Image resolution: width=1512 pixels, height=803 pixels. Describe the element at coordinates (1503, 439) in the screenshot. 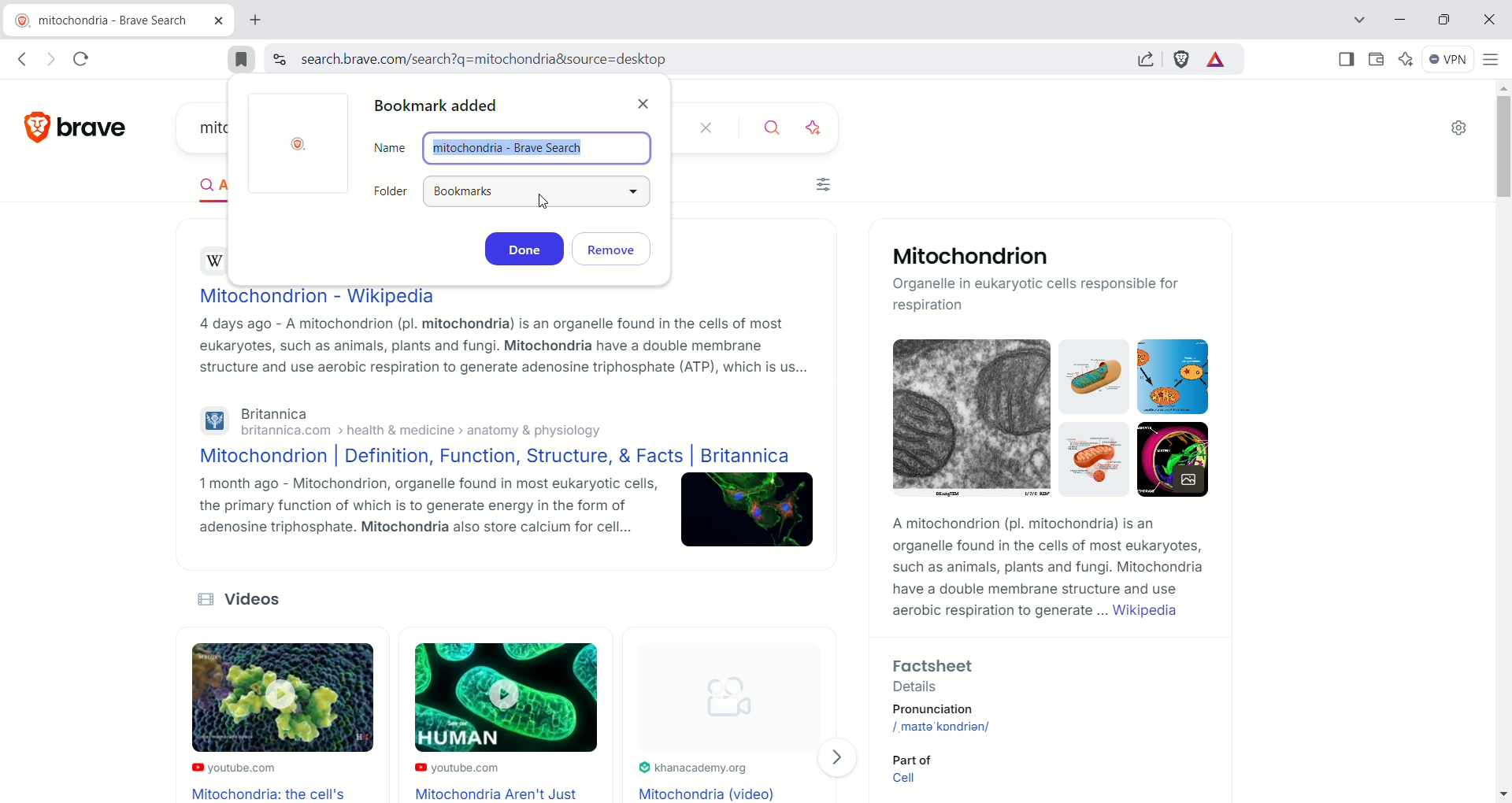

I see `vertical scroll bar` at that location.